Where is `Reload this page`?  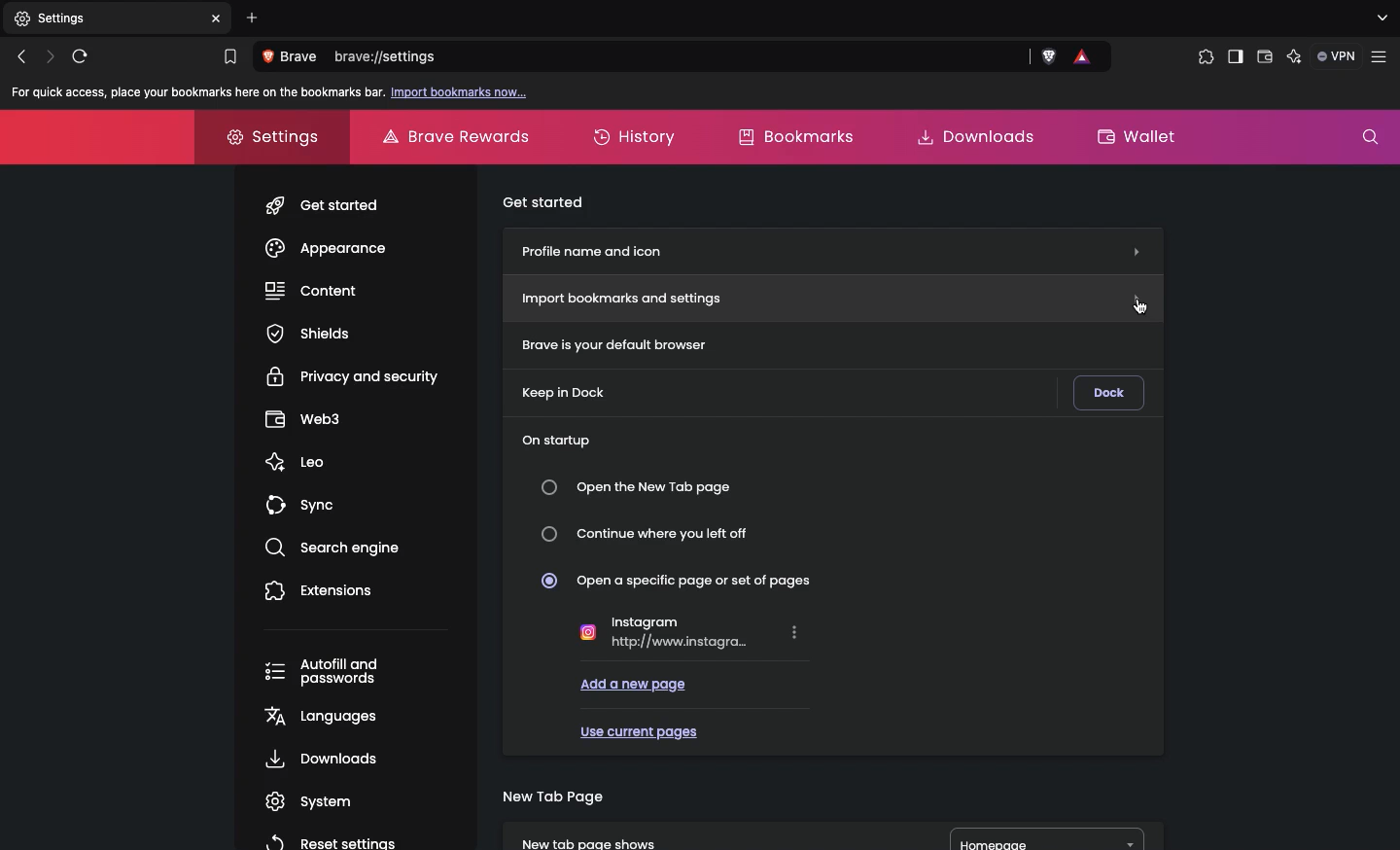 Reload this page is located at coordinates (85, 55).